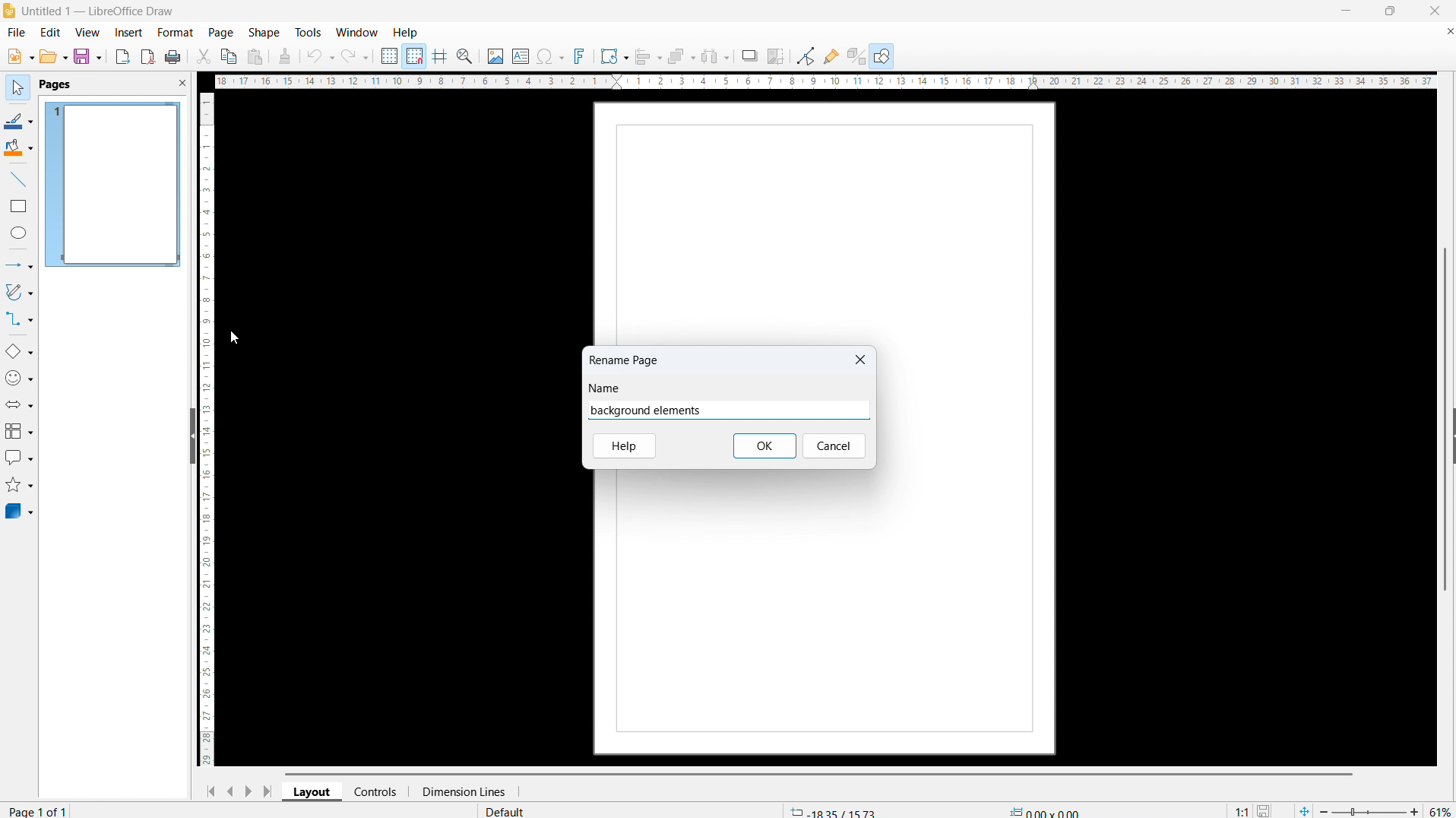  Describe the element at coordinates (836, 445) in the screenshot. I see `Cancel` at that location.